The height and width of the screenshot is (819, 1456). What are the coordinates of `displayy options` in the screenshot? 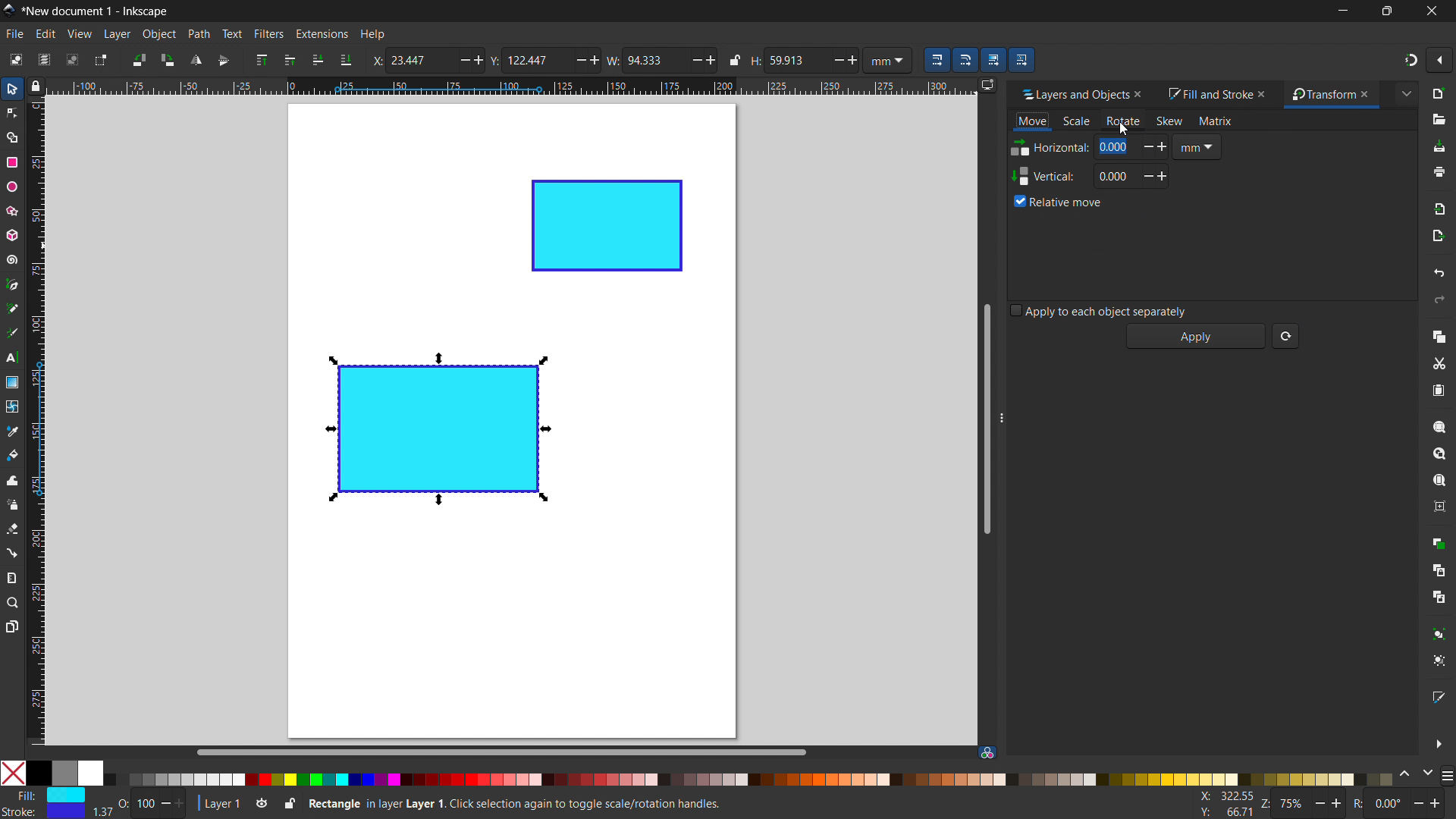 It's located at (987, 85).